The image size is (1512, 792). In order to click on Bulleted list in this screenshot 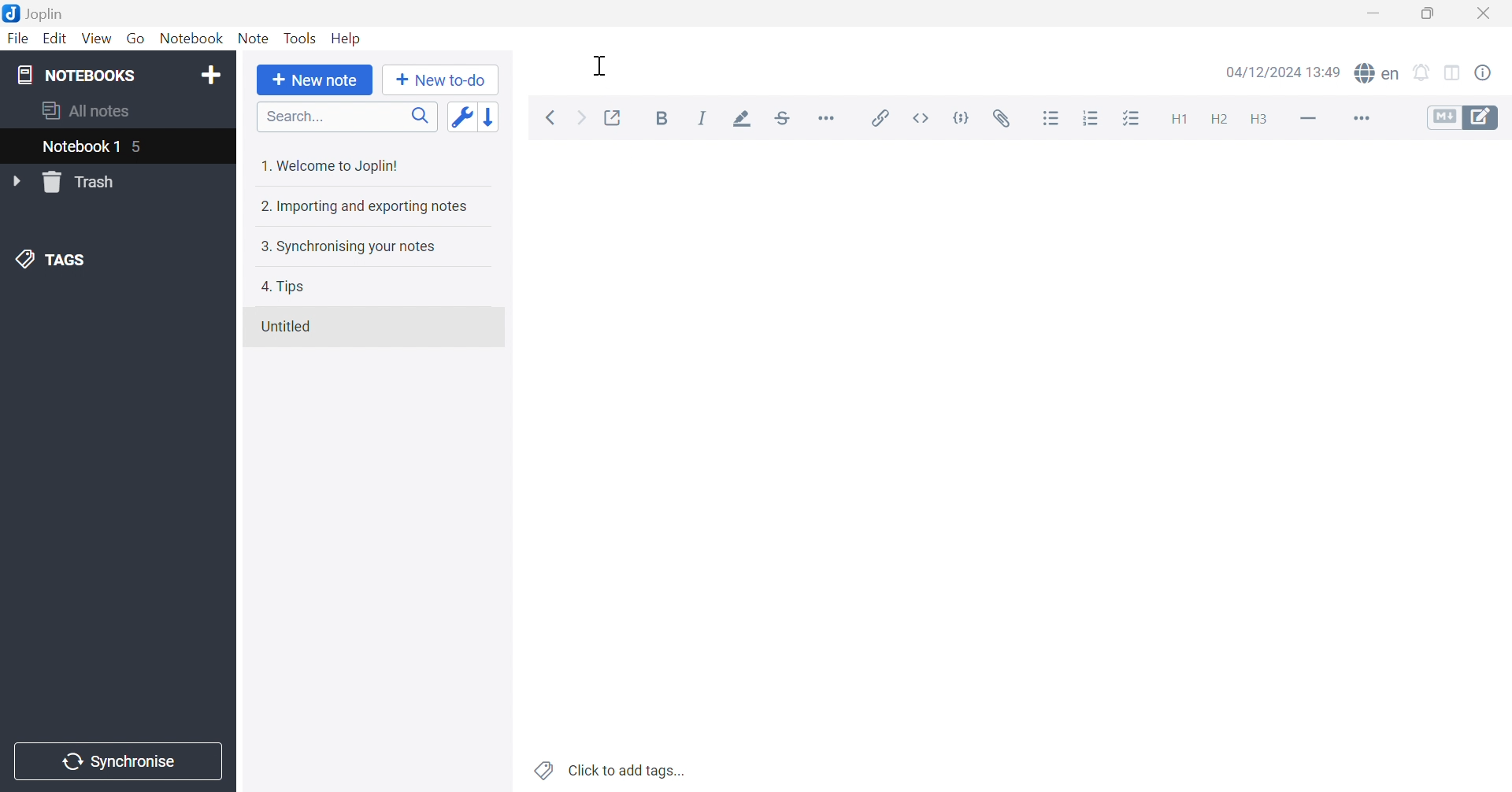, I will do `click(1052, 117)`.